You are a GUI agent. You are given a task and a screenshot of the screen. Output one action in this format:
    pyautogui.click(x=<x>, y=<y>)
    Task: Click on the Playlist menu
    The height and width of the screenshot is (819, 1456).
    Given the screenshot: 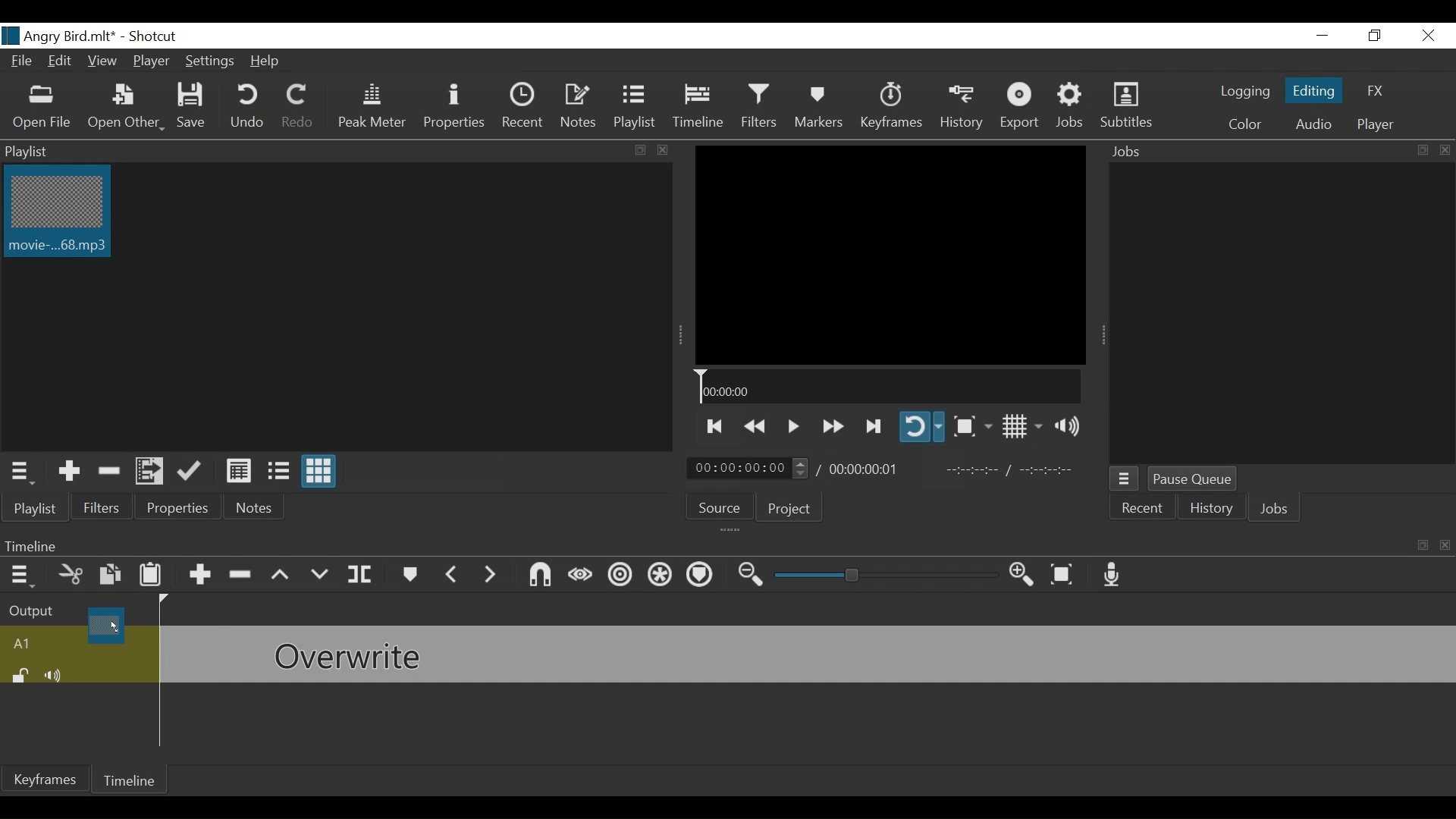 What is the action you would take?
    pyautogui.click(x=35, y=507)
    